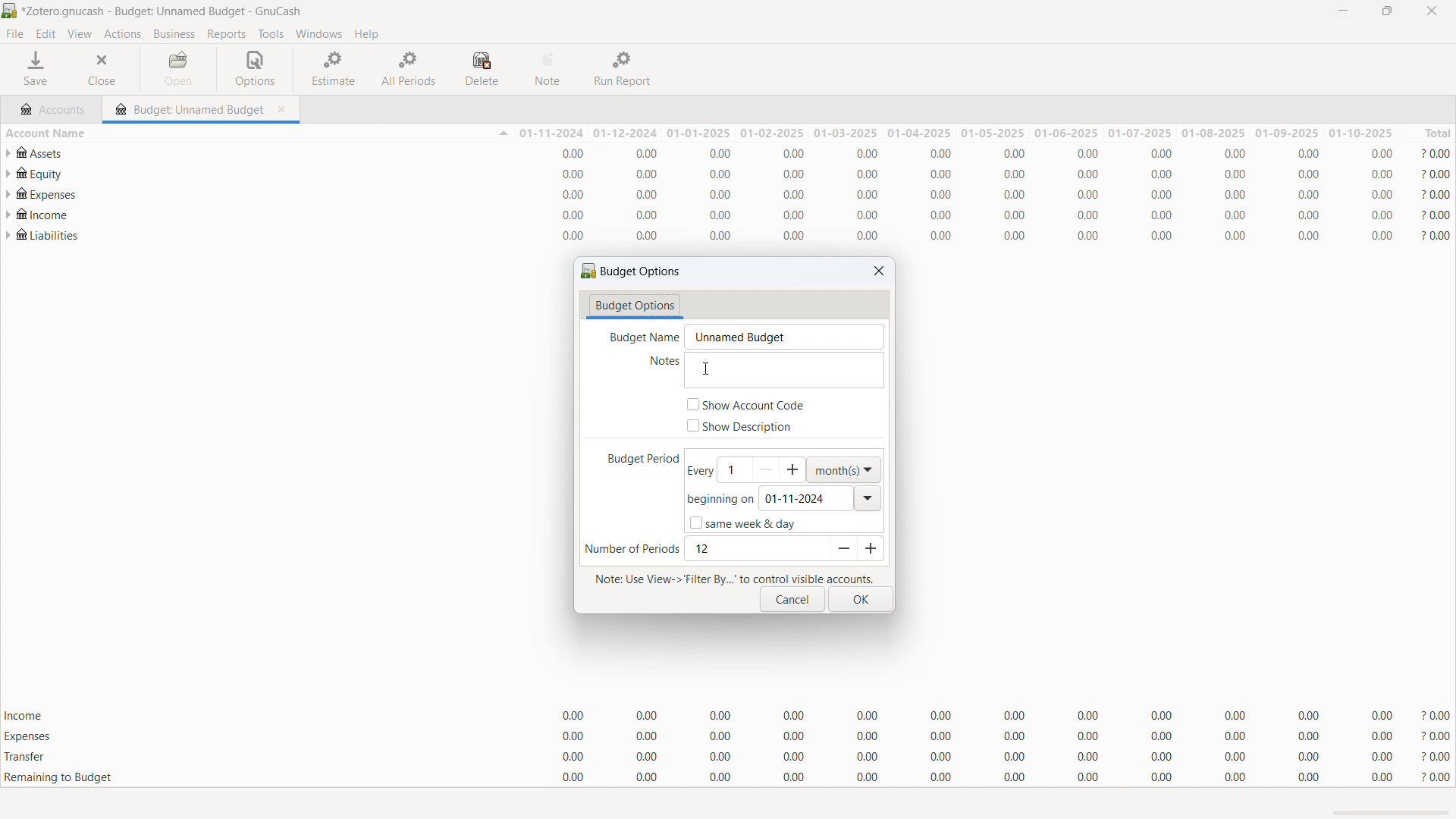  Describe the element at coordinates (163, 11) in the screenshot. I see `file name` at that location.